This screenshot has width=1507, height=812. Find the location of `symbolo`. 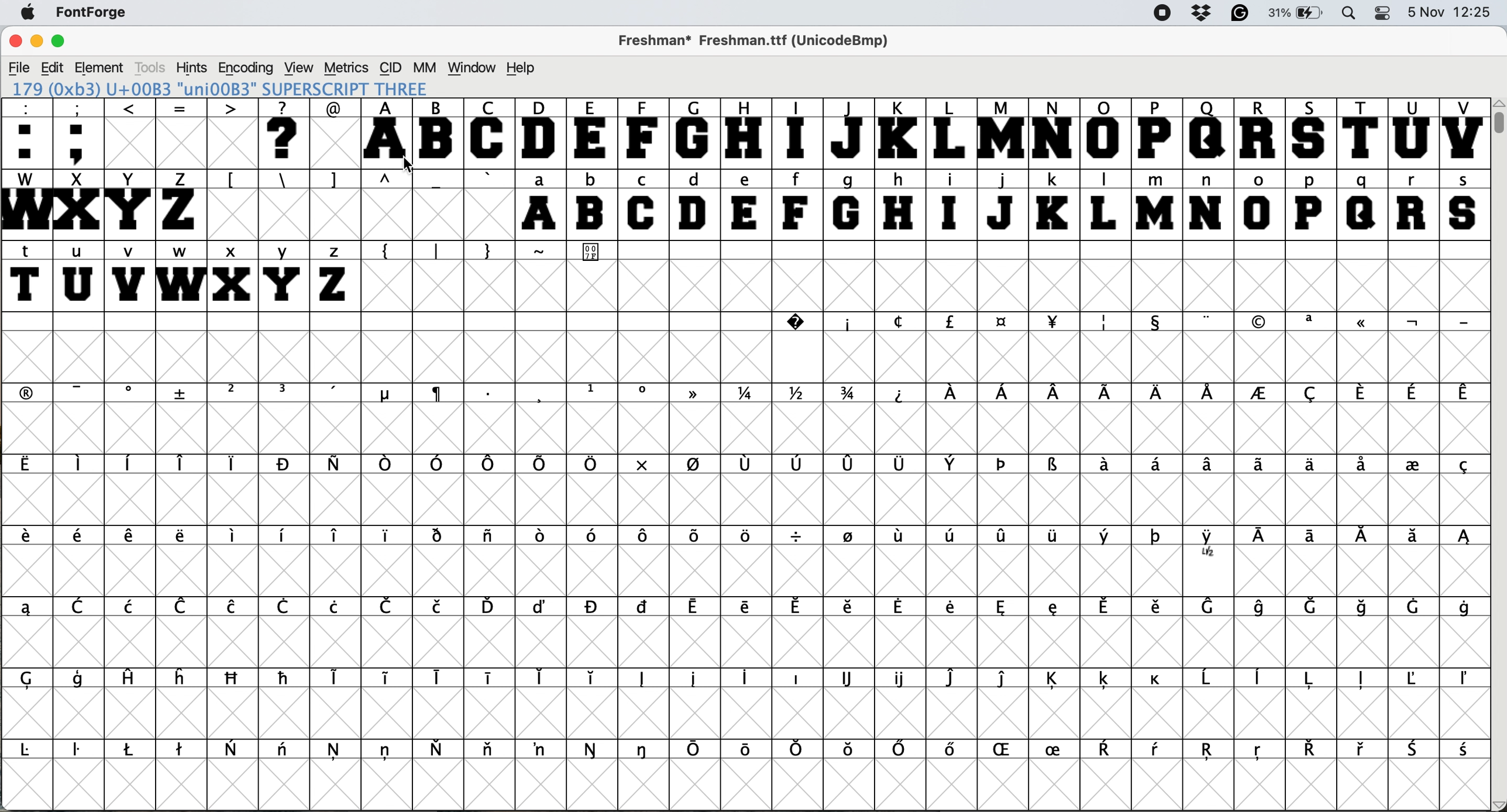

symbolo is located at coordinates (234, 536).